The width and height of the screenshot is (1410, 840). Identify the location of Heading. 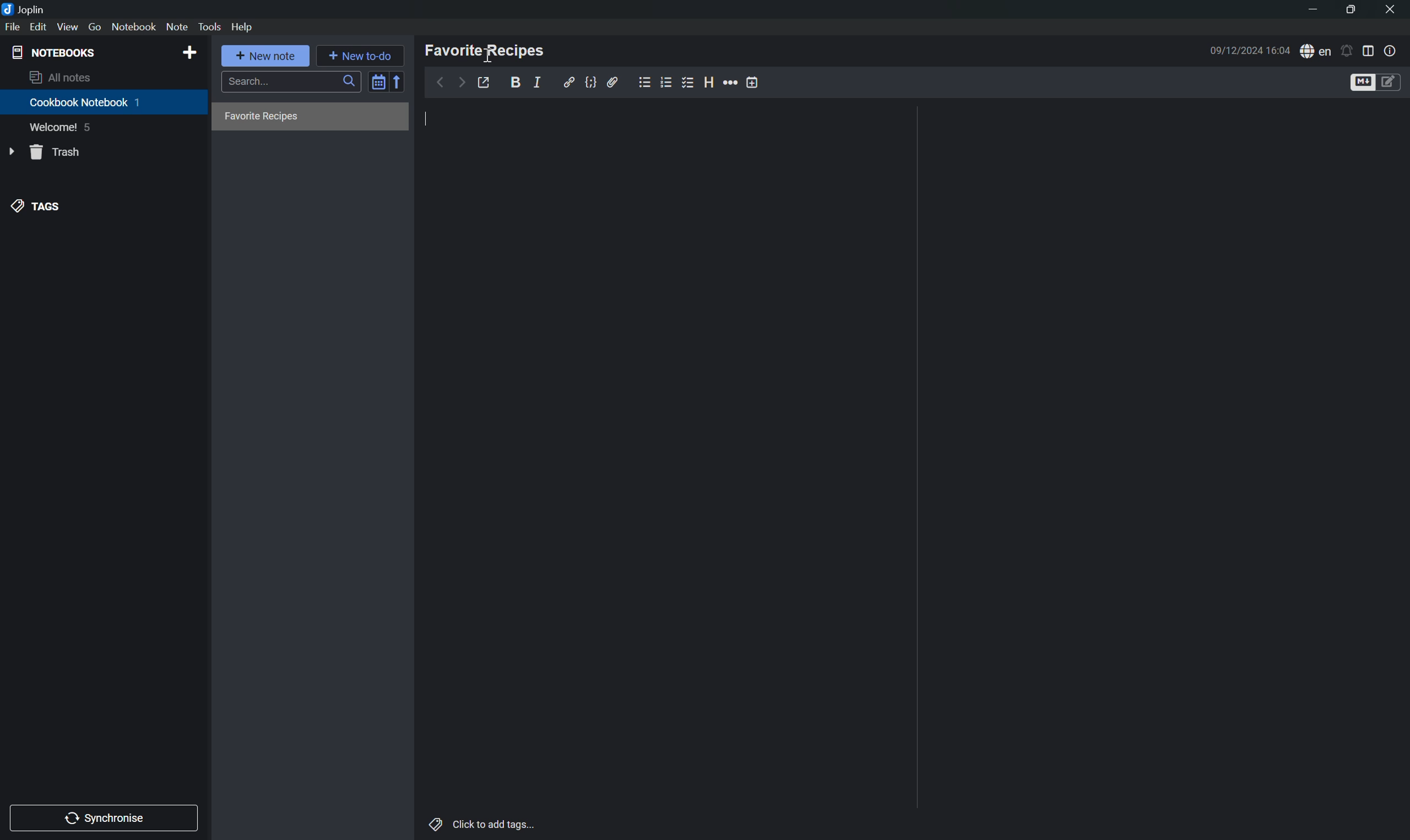
(710, 80).